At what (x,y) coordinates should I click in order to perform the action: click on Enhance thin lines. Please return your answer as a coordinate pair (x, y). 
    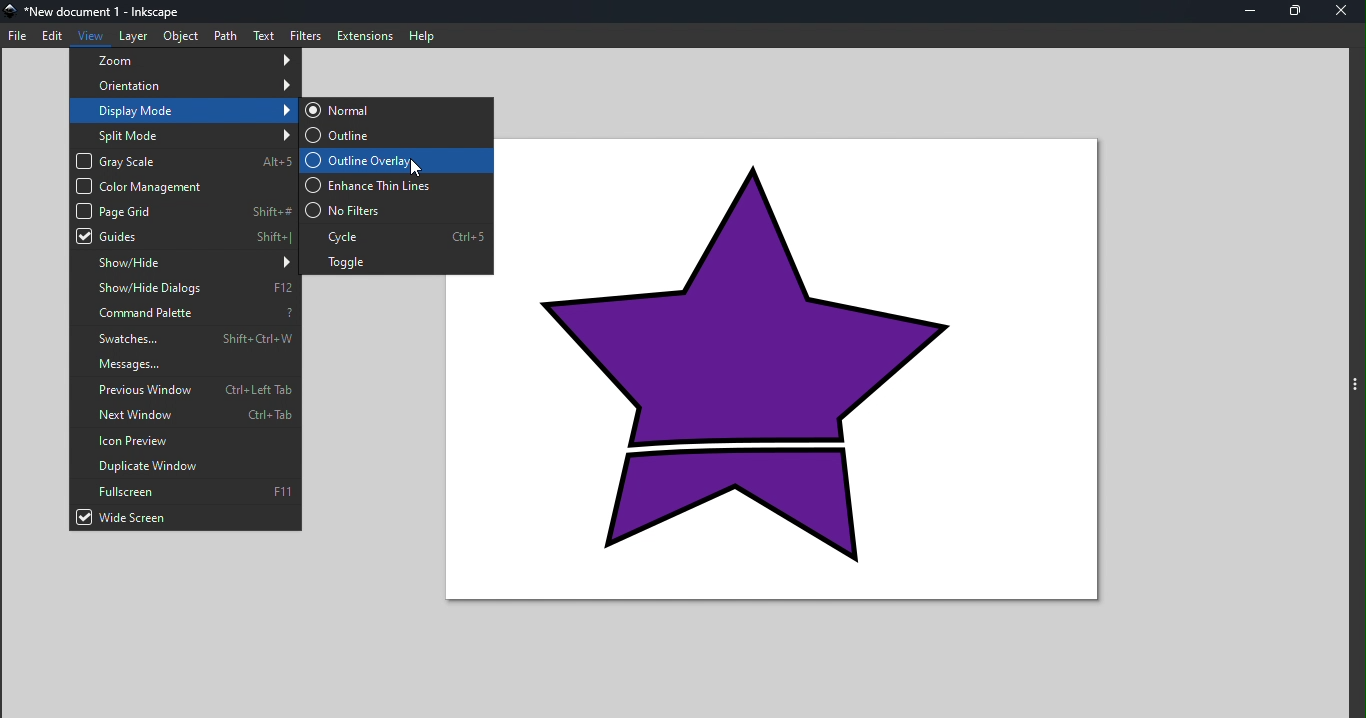
    Looking at the image, I should click on (396, 184).